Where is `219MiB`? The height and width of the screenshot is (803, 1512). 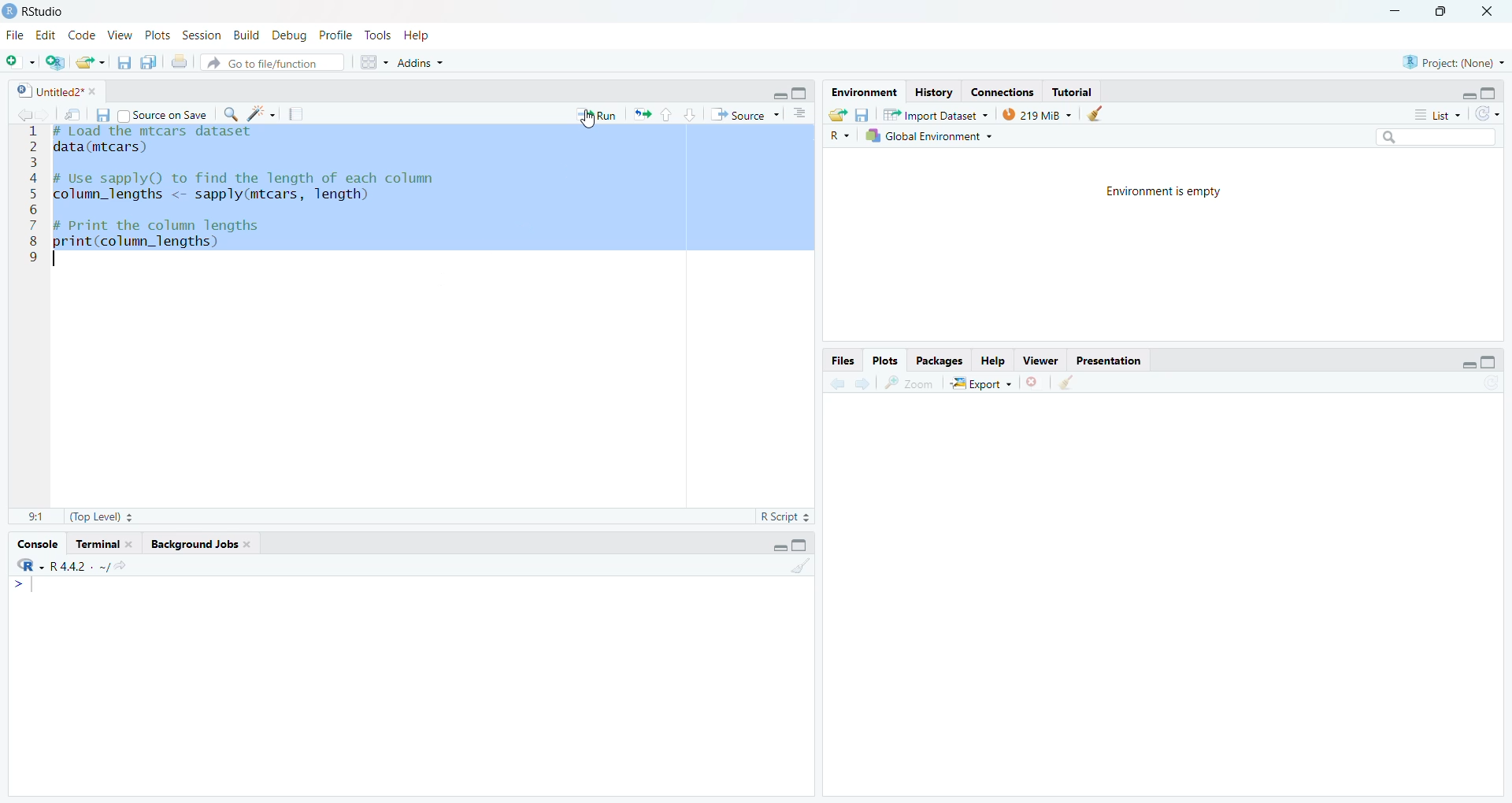
219MiB is located at coordinates (1037, 113).